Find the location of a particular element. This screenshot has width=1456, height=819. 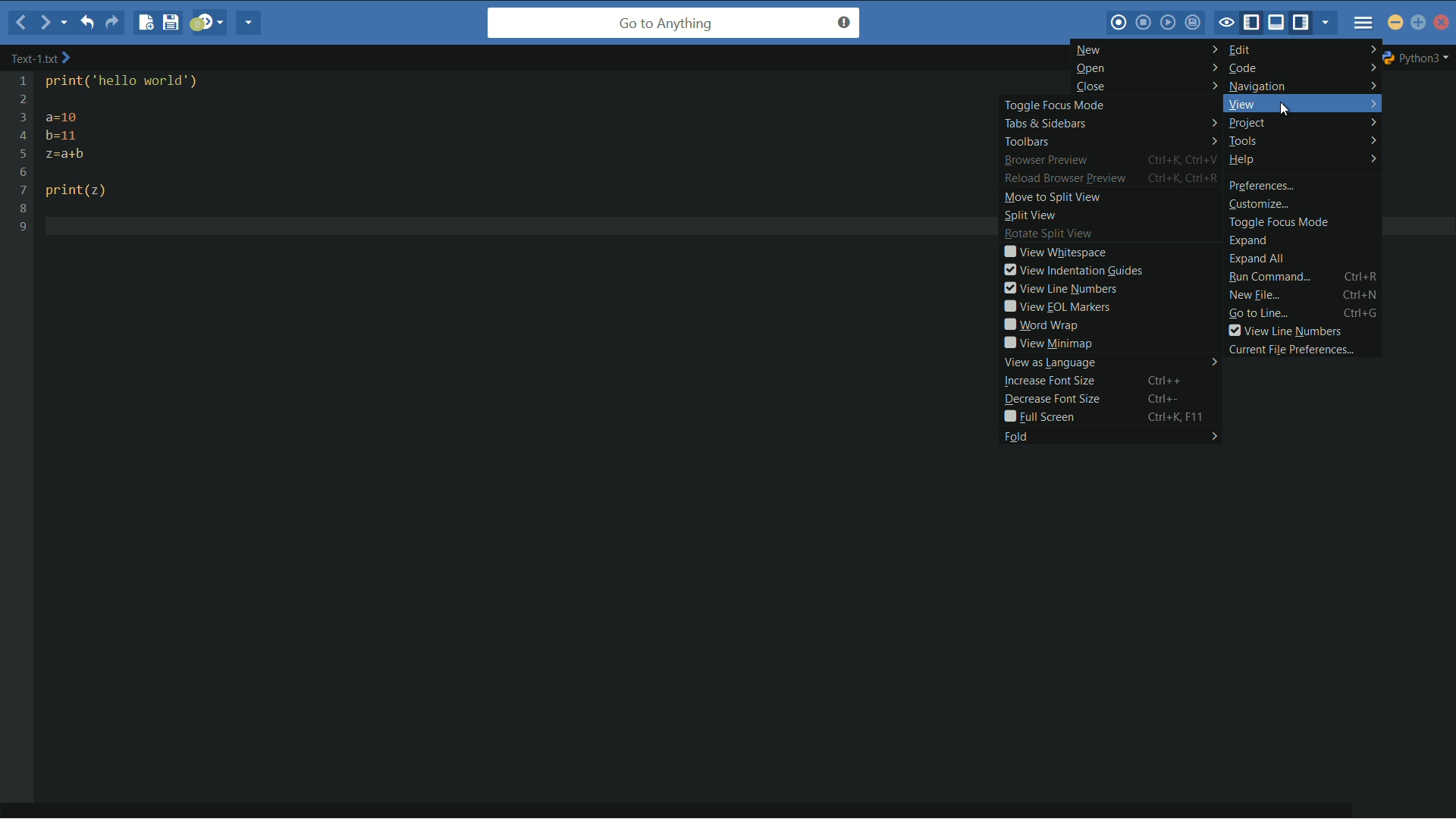

view eol markers is located at coordinates (1055, 306).